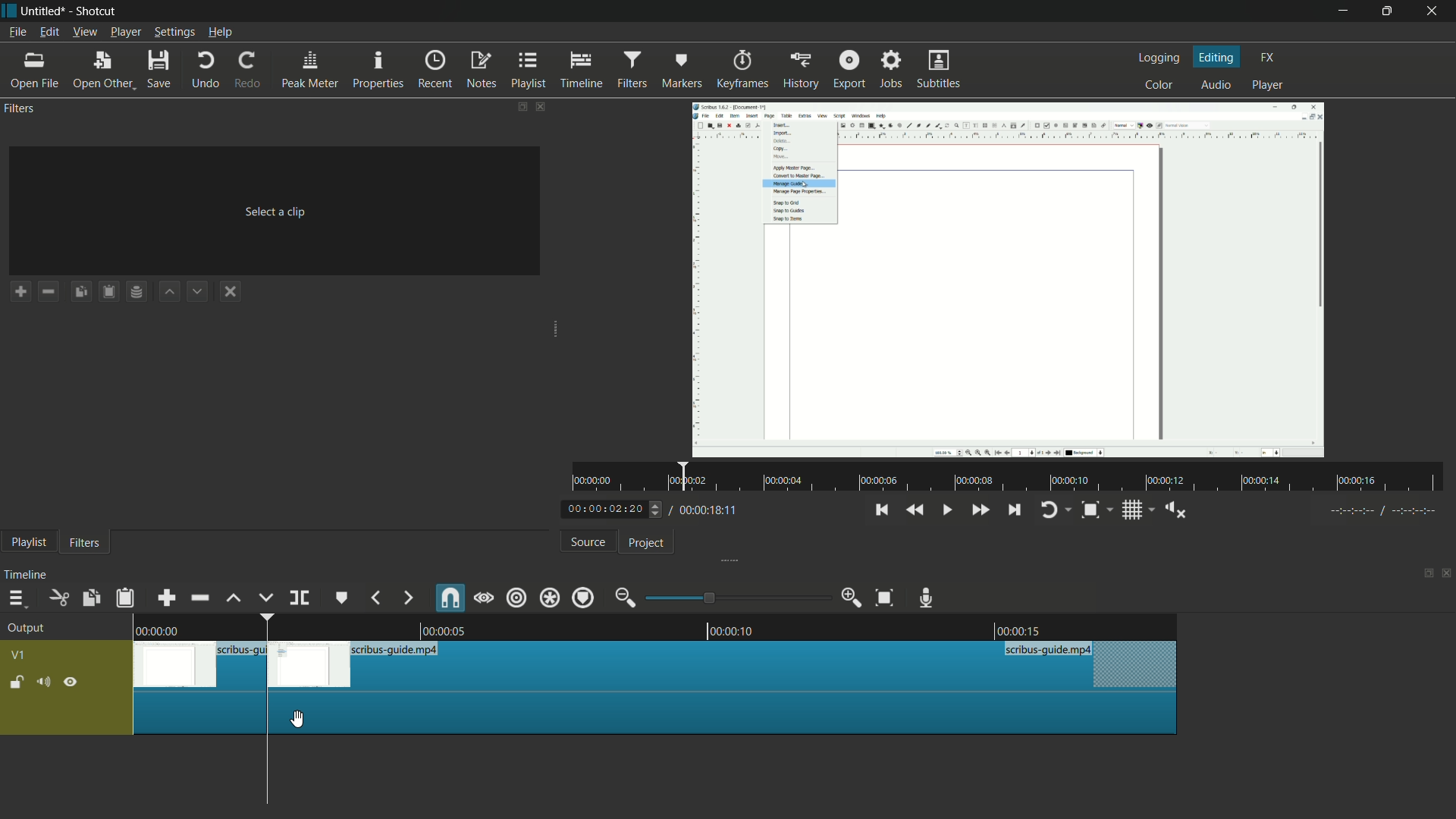 Image resolution: width=1456 pixels, height=819 pixels. What do you see at coordinates (158, 68) in the screenshot?
I see `save` at bounding box center [158, 68].